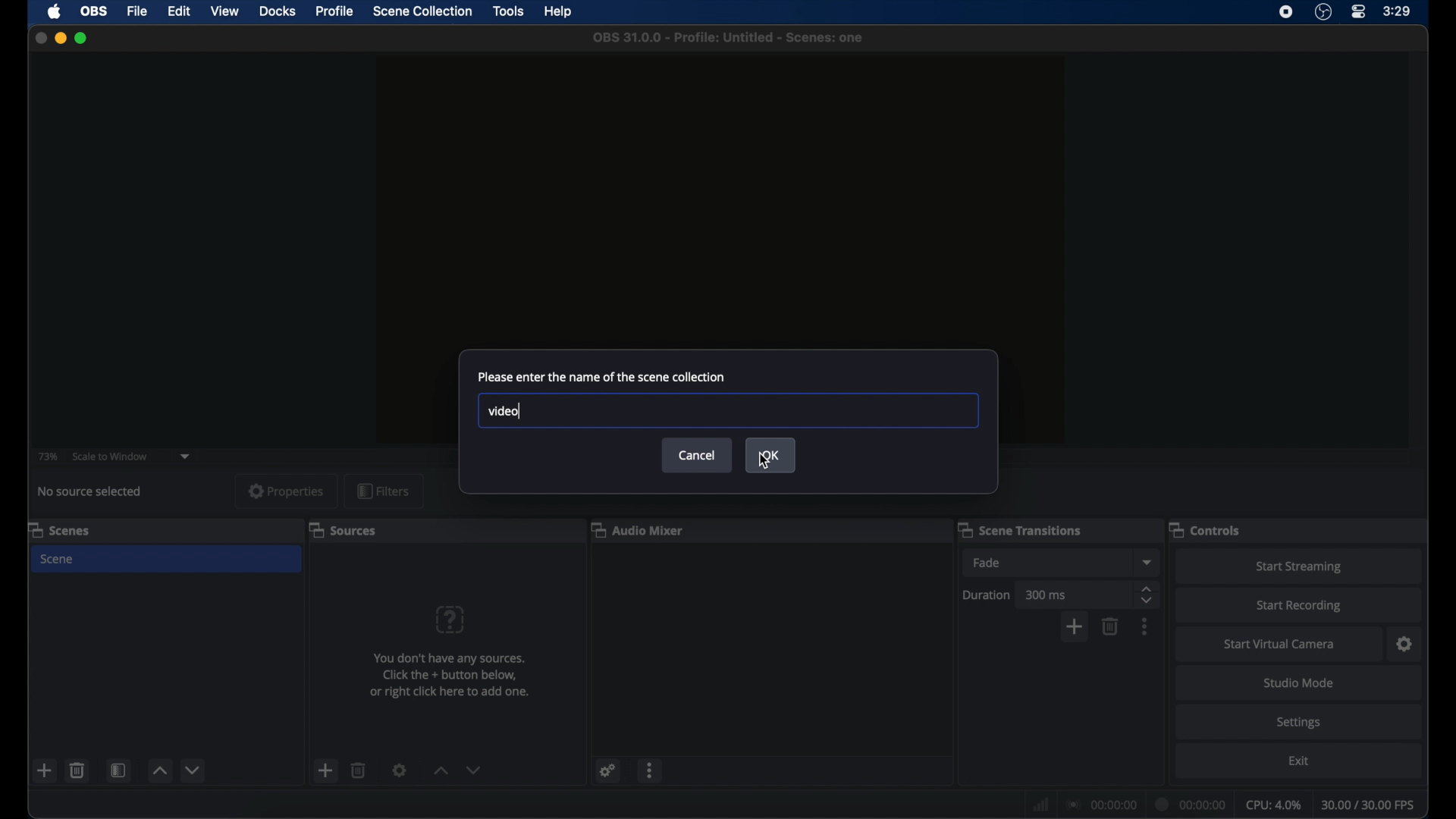 This screenshot has width=1456, height=819. What do you see at coordinates (770, 455) in the screenshot?
I see `ok` at bounding box center [770, 455].